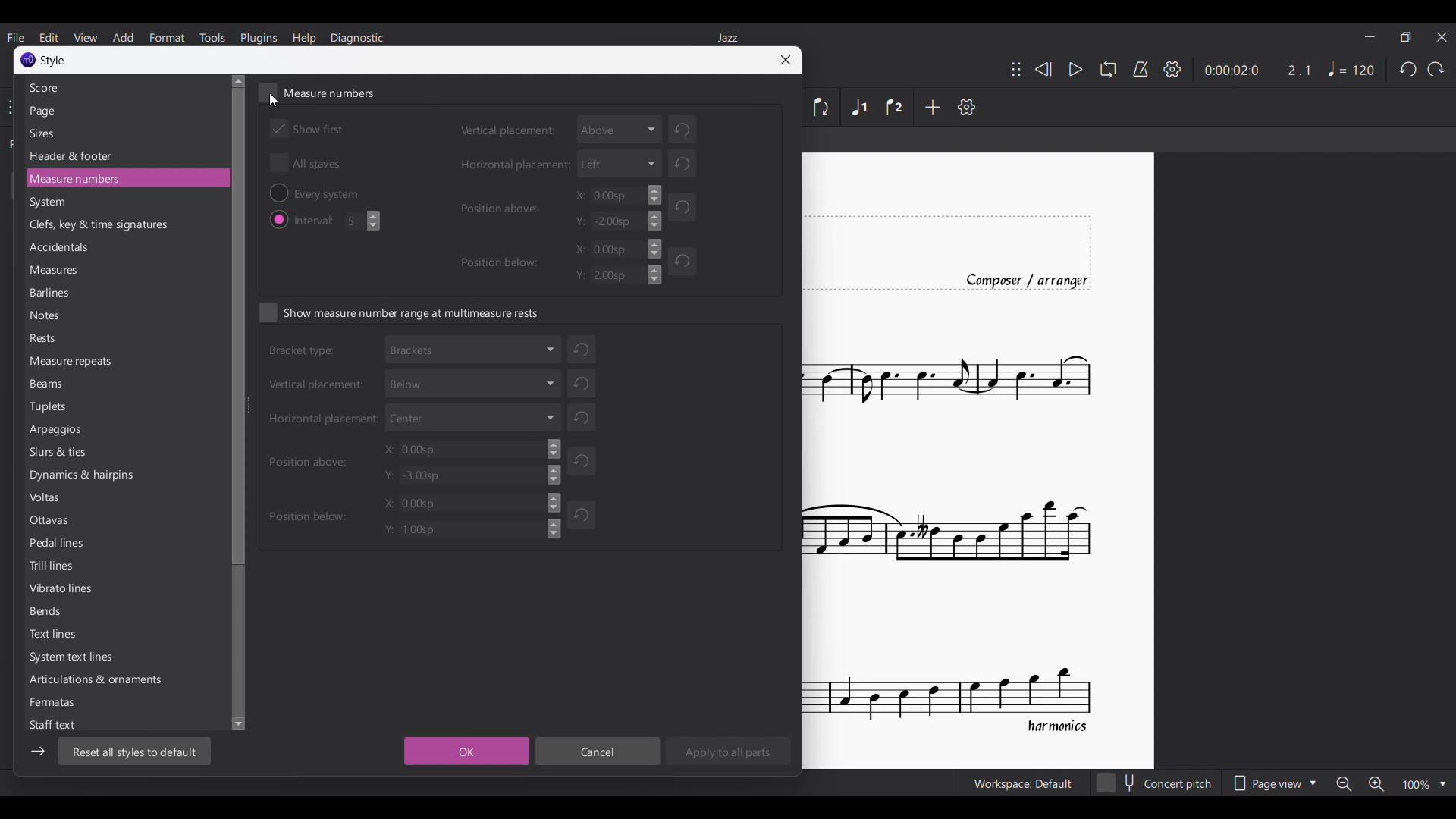 The height and width of the screenshot is (819, 1456). What do you see at coordinates (687, 165) in the screenshot?
I see `Refresh` at bounding box center [687, 165].